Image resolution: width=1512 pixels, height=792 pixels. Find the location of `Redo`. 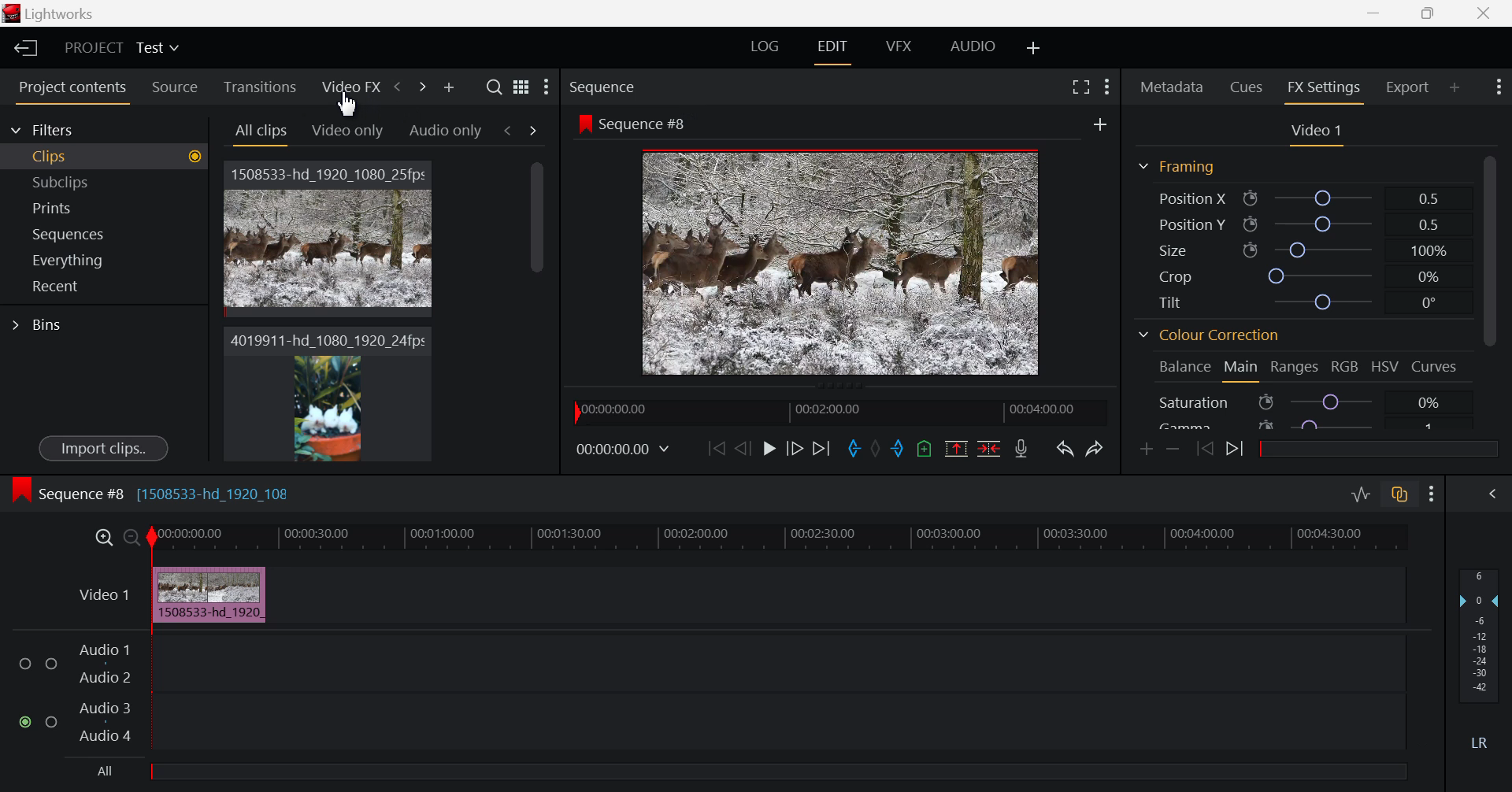

Redo is located at coordinates (1096, 450).